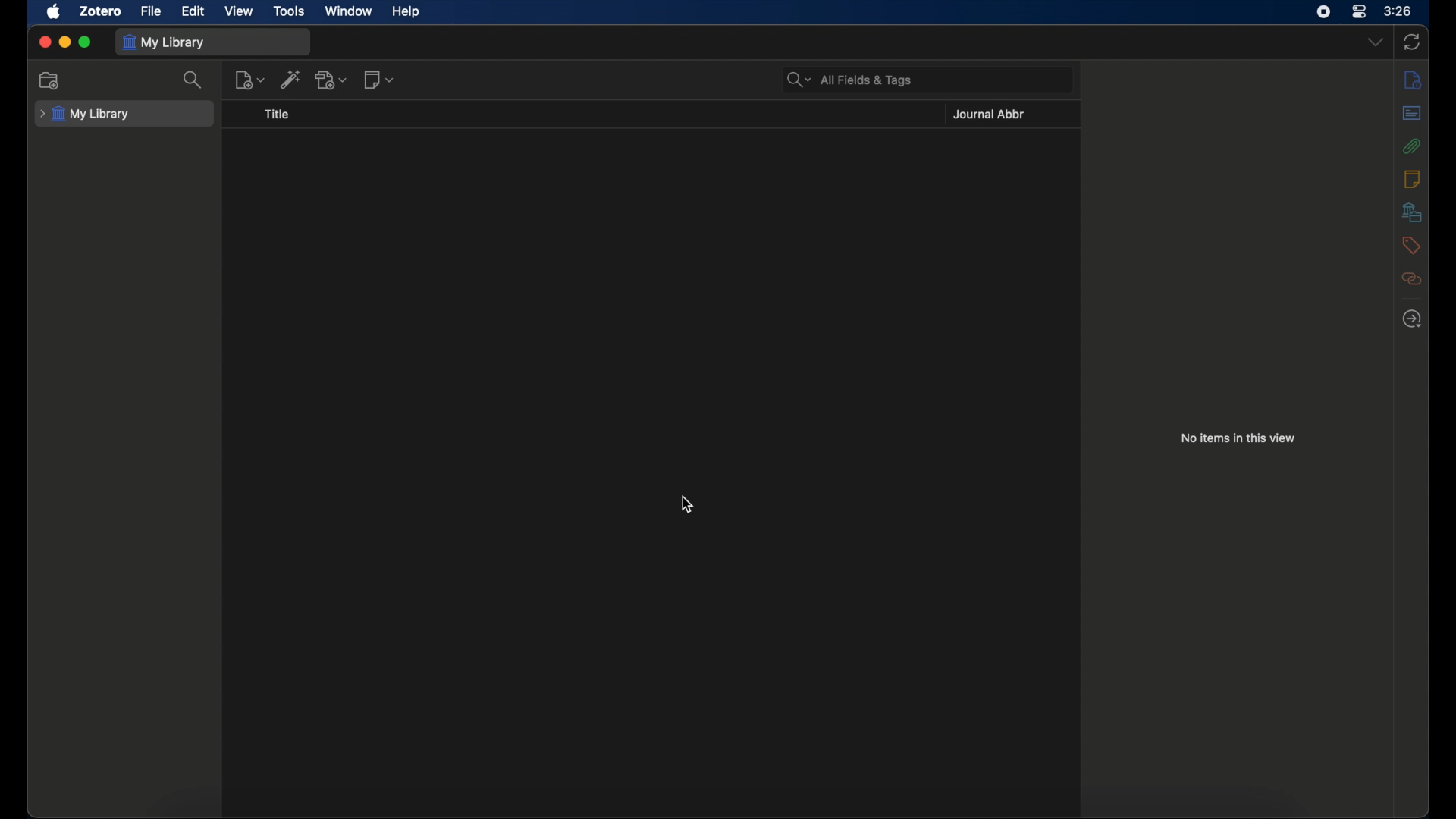 This screenshot has width=1456, height=819. Describe the element at coordinates (249, 80) in the screenshot. I see `new item` at that location.